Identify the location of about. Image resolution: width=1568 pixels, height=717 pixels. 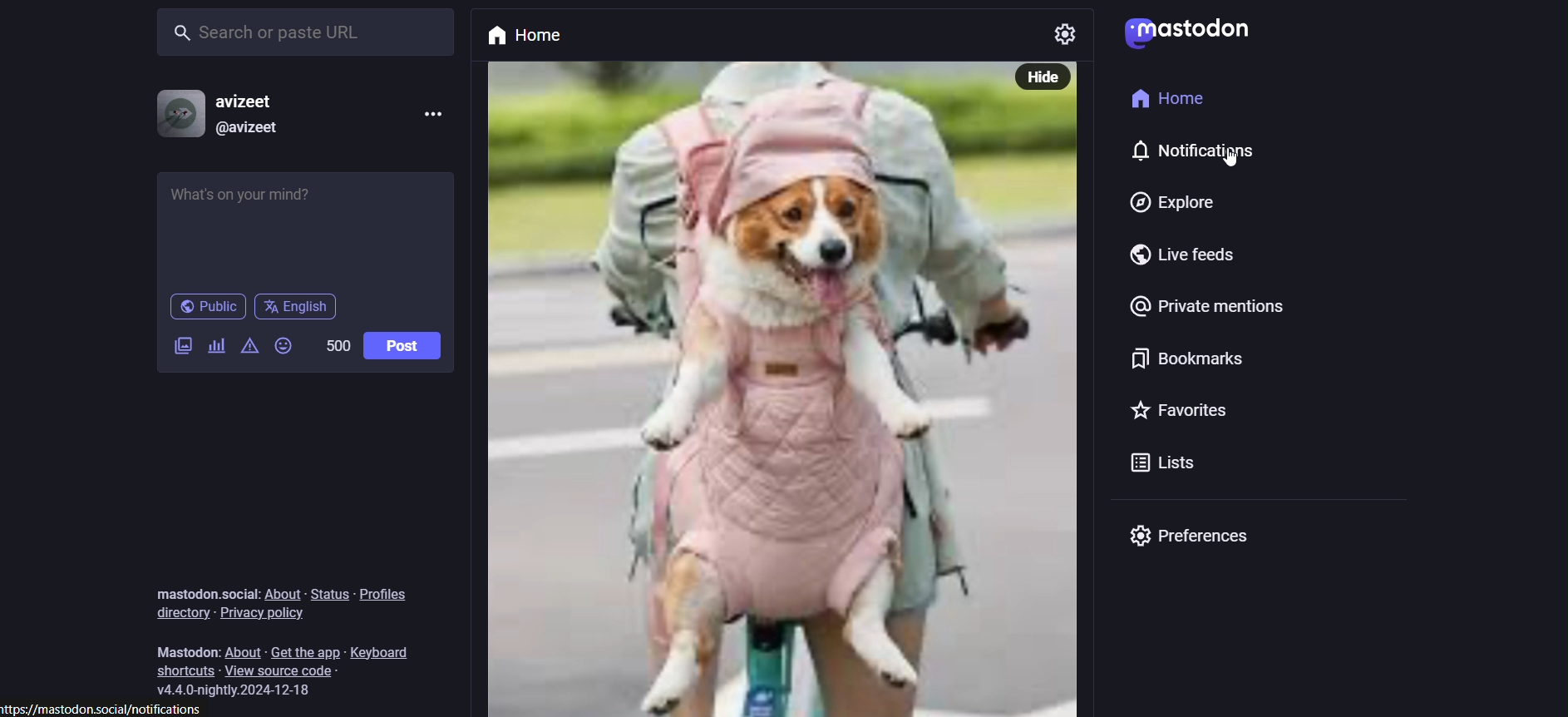
(281, 591).